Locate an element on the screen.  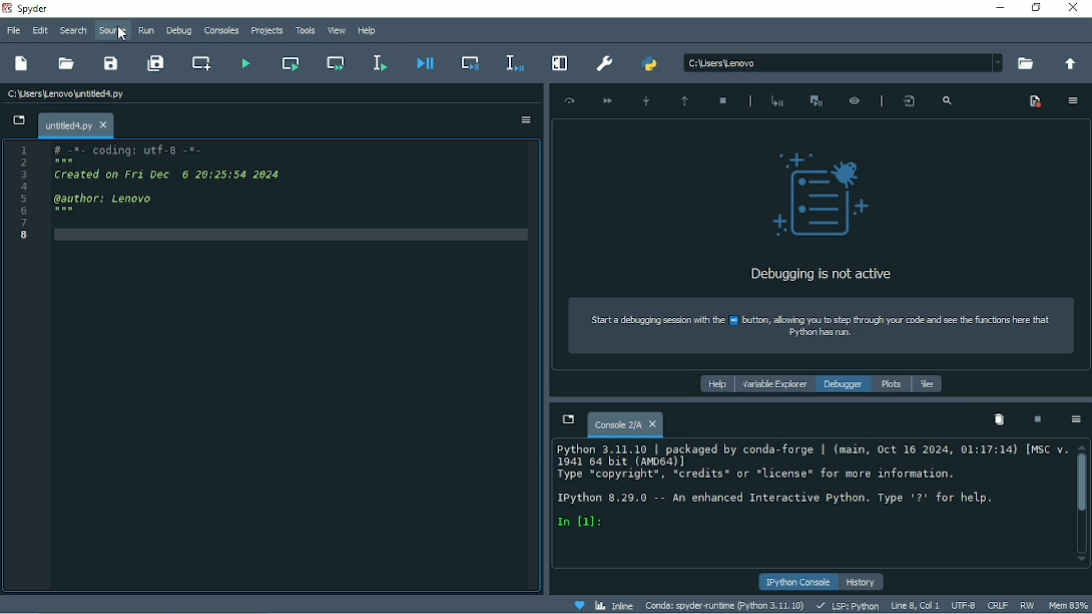
Inline is located at coordinates (614, 606).